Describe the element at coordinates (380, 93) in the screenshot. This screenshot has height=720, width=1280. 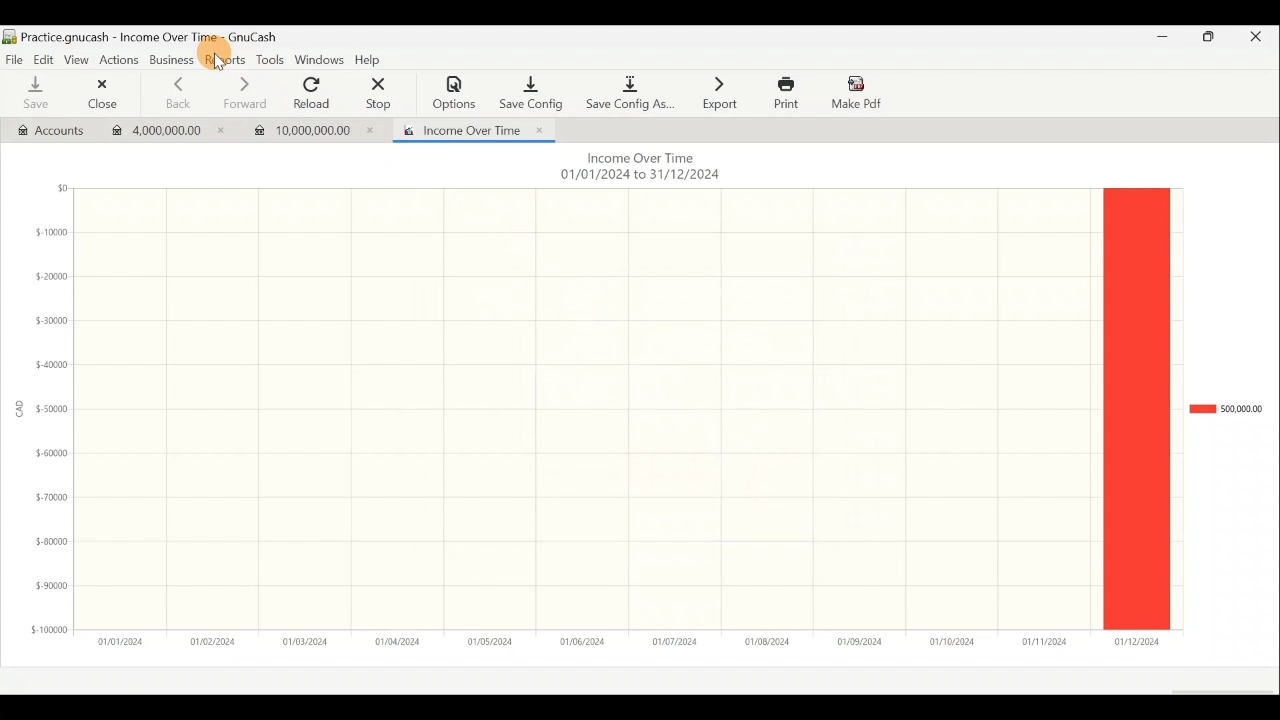
I see `Stop` at that location.